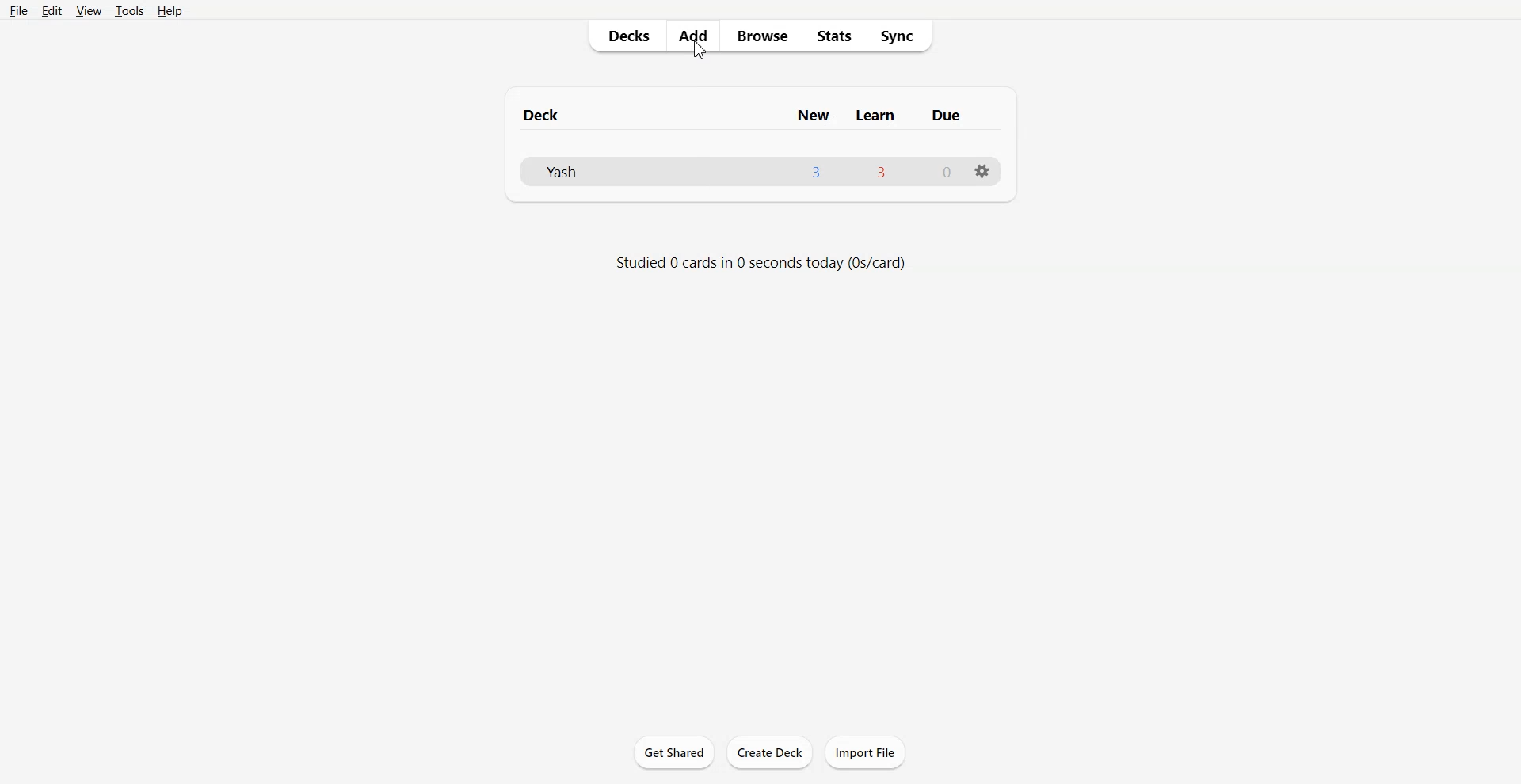  I want to click on Deck File, so click(585, 169).